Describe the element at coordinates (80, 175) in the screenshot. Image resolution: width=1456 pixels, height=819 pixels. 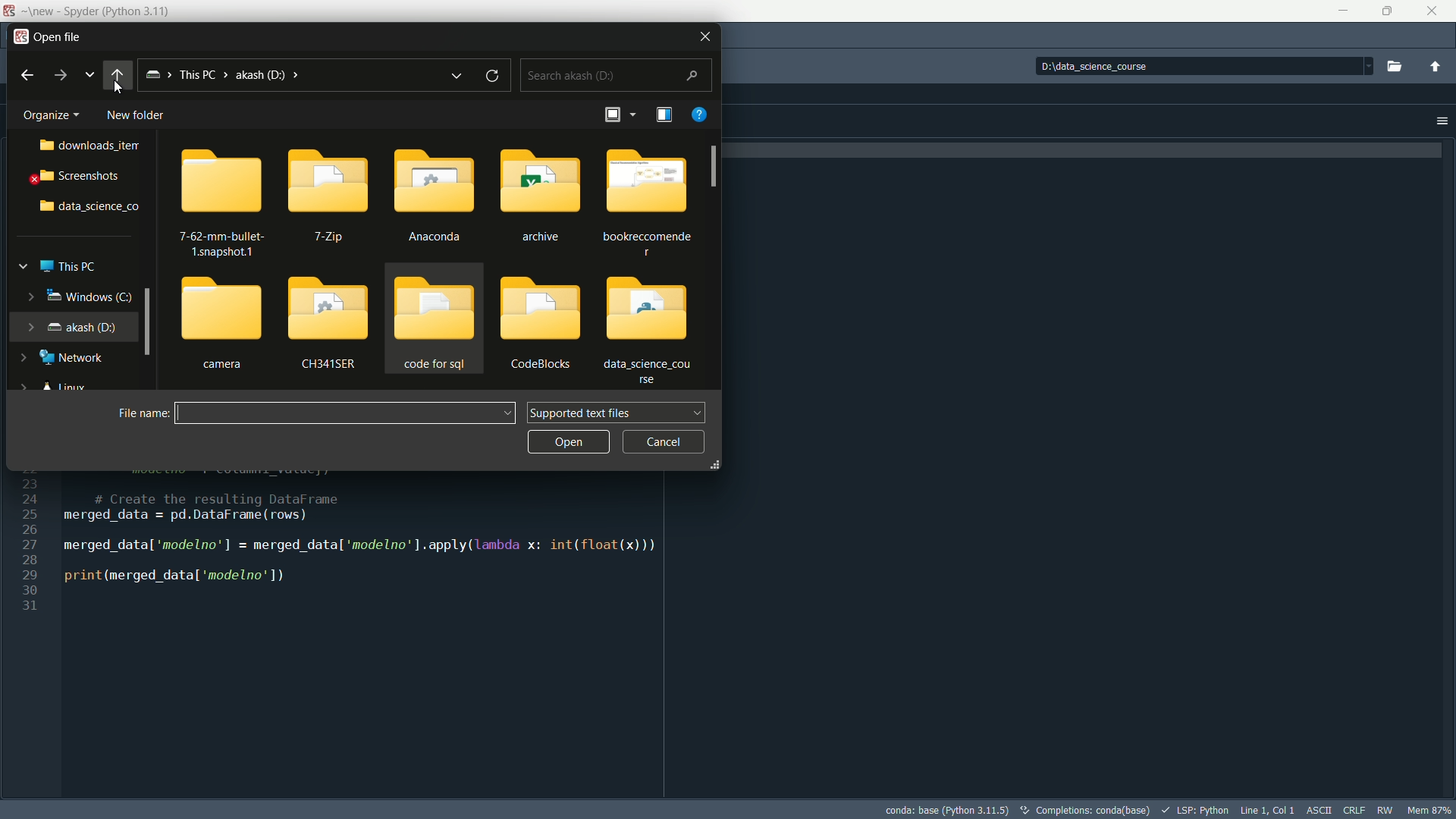
I see `screenshots` at that location.